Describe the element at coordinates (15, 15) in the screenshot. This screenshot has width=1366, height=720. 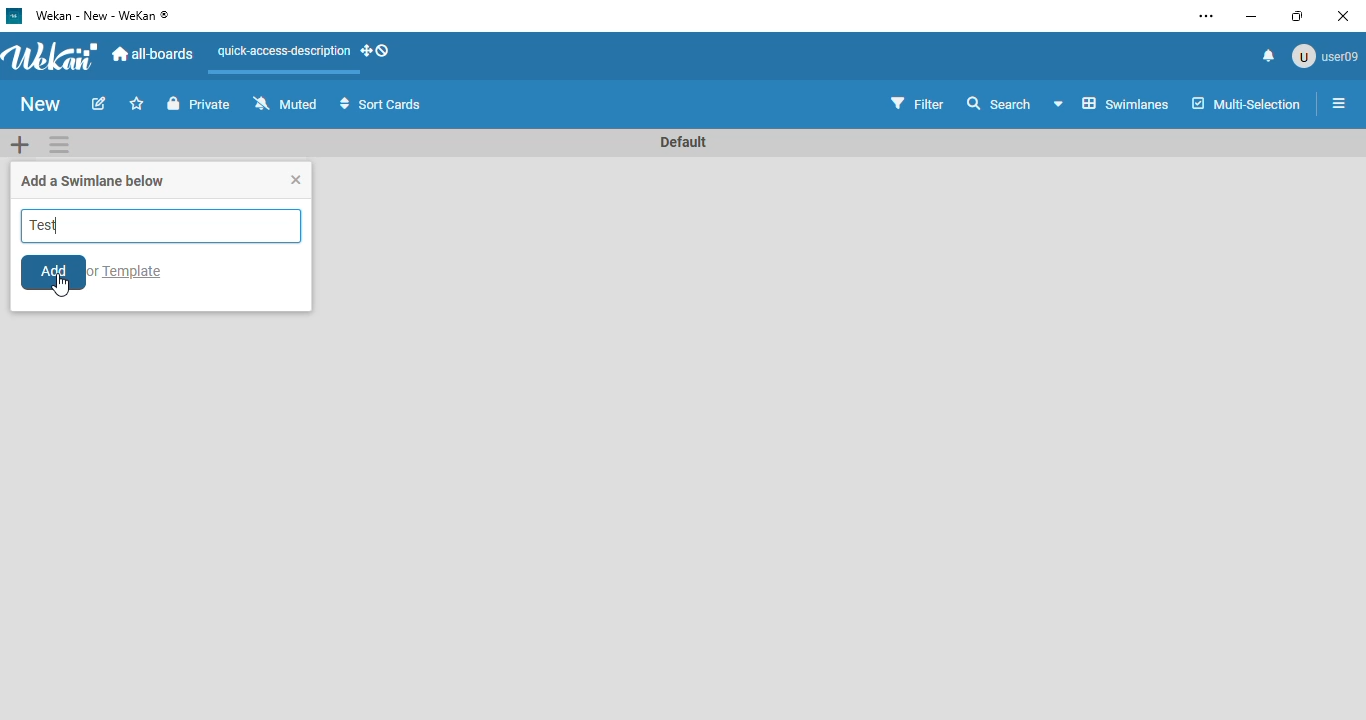
I see `logo` at that location.